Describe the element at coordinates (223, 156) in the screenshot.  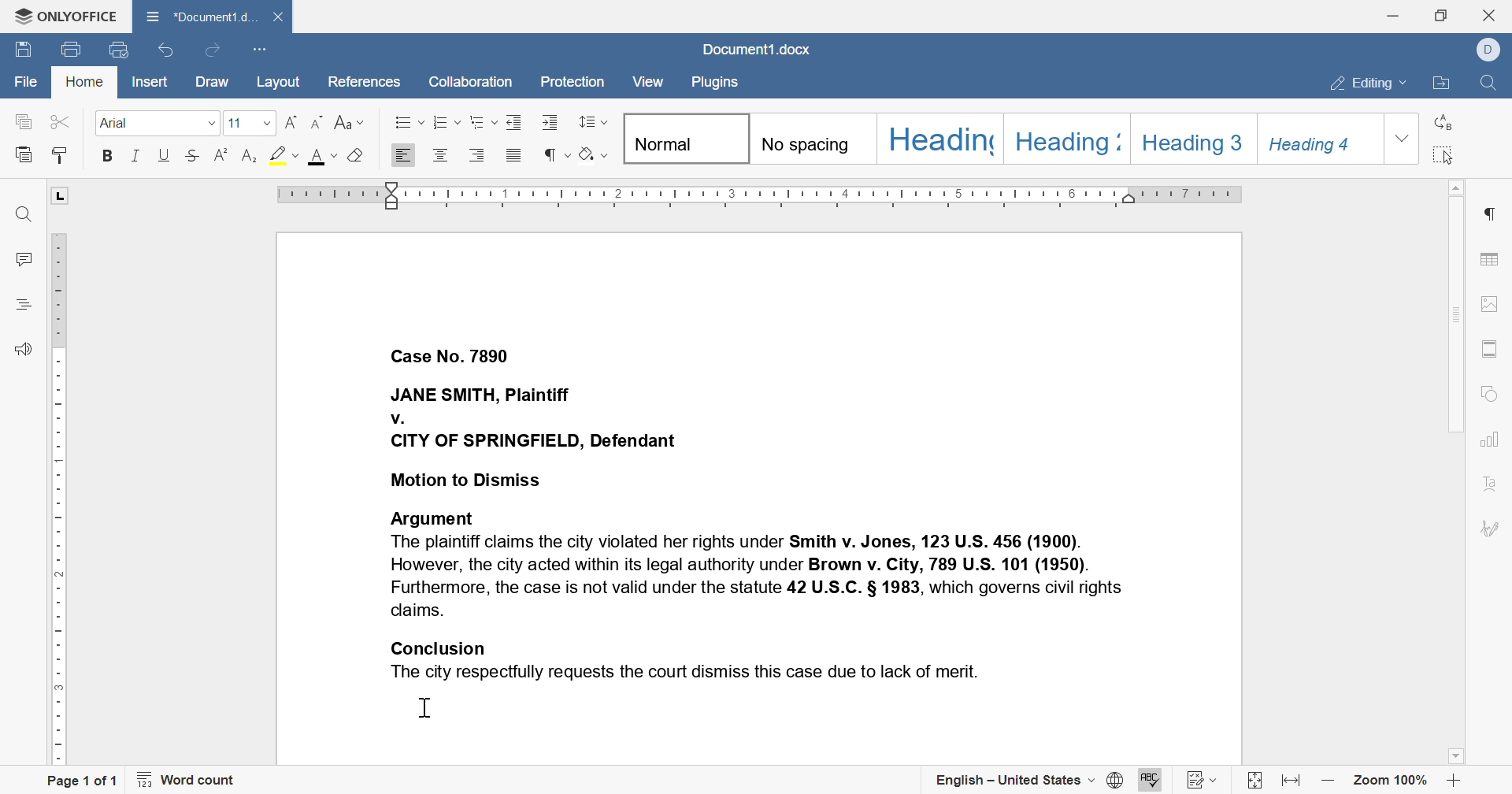
I see `strikethrough` at that location.